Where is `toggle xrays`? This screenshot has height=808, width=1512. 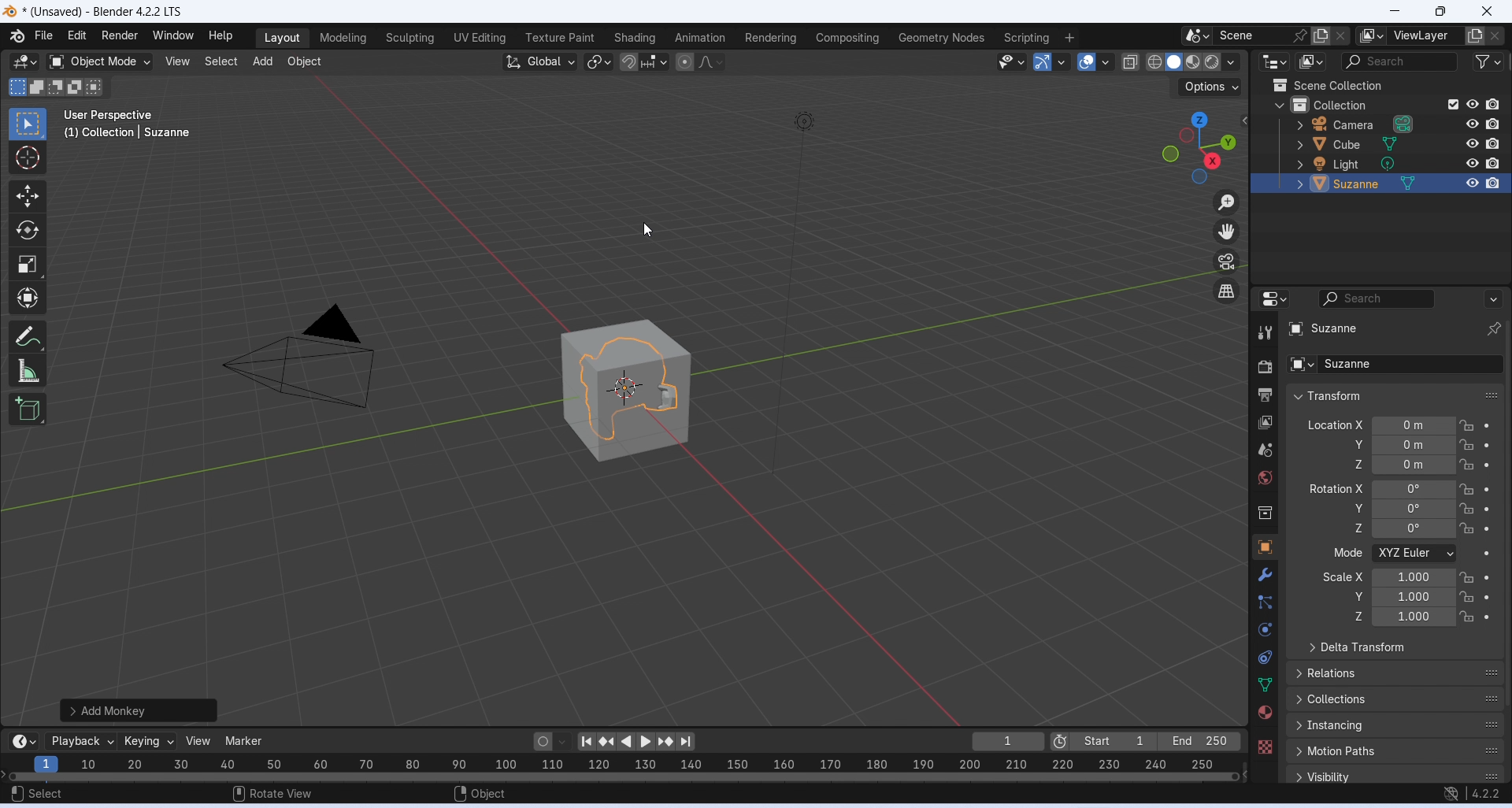 toggle xrays is located at coordinates (1131, 62).